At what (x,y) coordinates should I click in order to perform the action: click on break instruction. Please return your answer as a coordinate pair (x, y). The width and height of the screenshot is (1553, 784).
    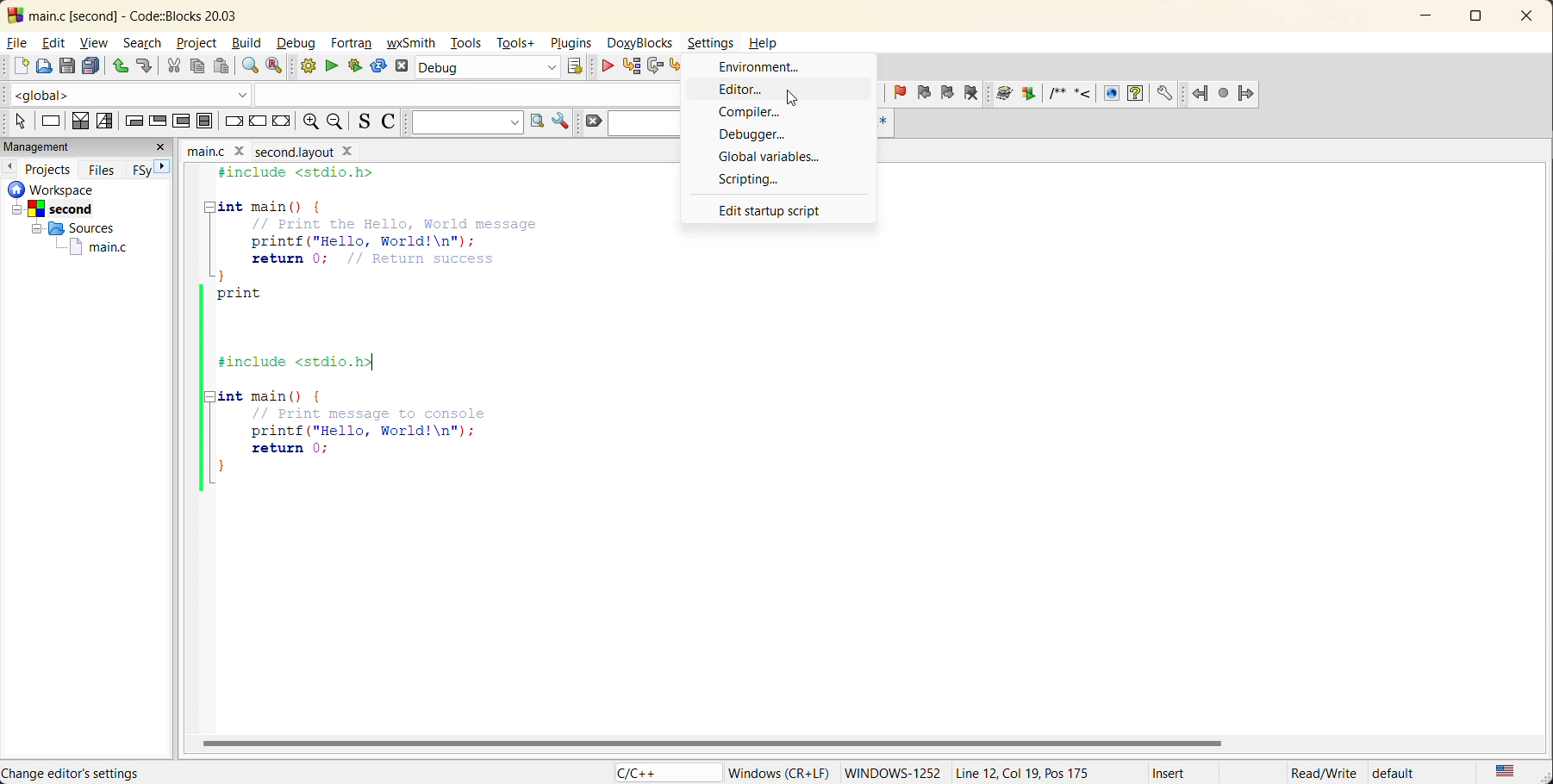
    Looking at the image, I should click on (233, 122).